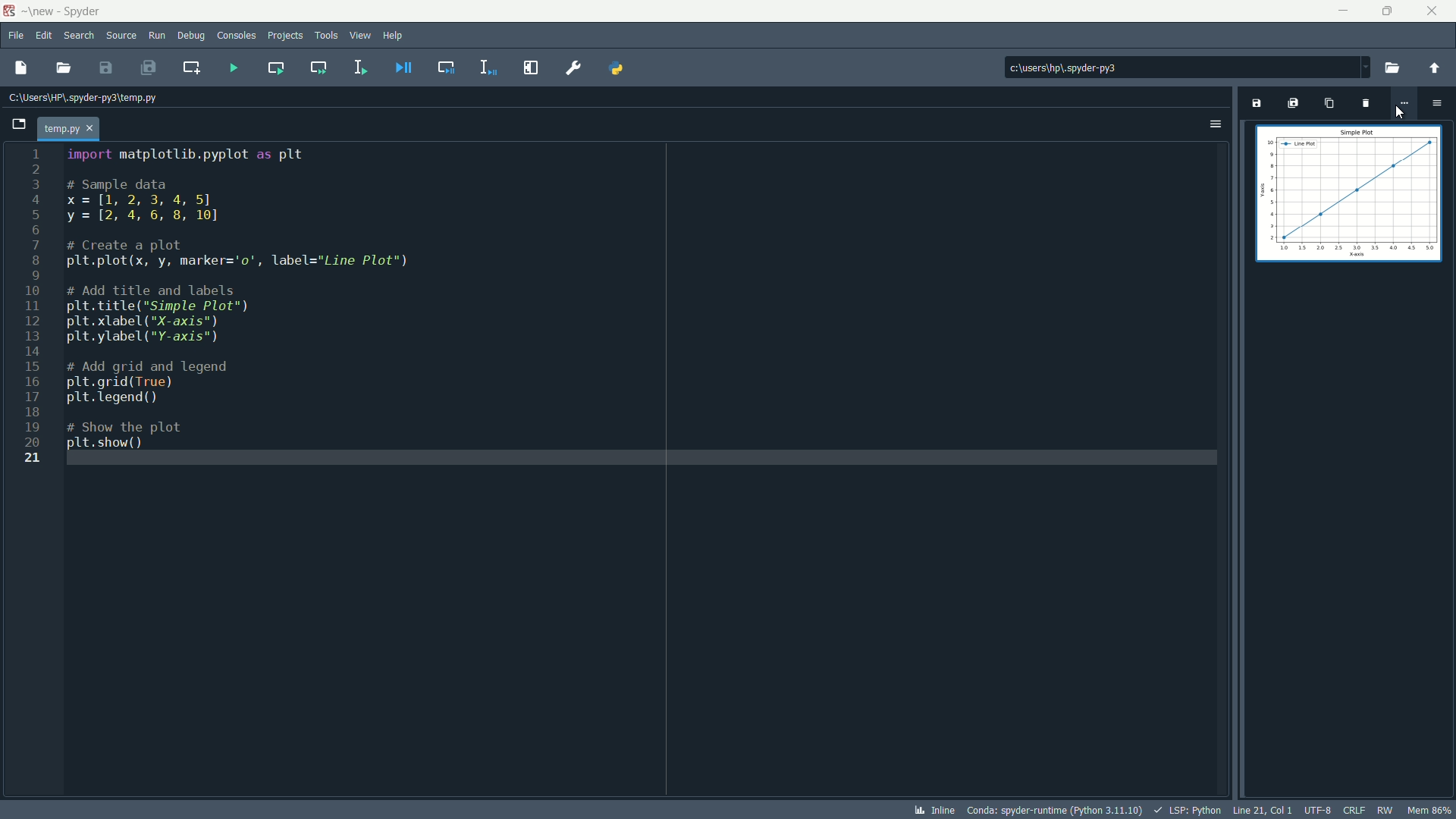 The image size is (1456, 819). What do you see at coordinates (121, 36) in the screenshot?
I see `source menu` at bounding box center [121, 36].